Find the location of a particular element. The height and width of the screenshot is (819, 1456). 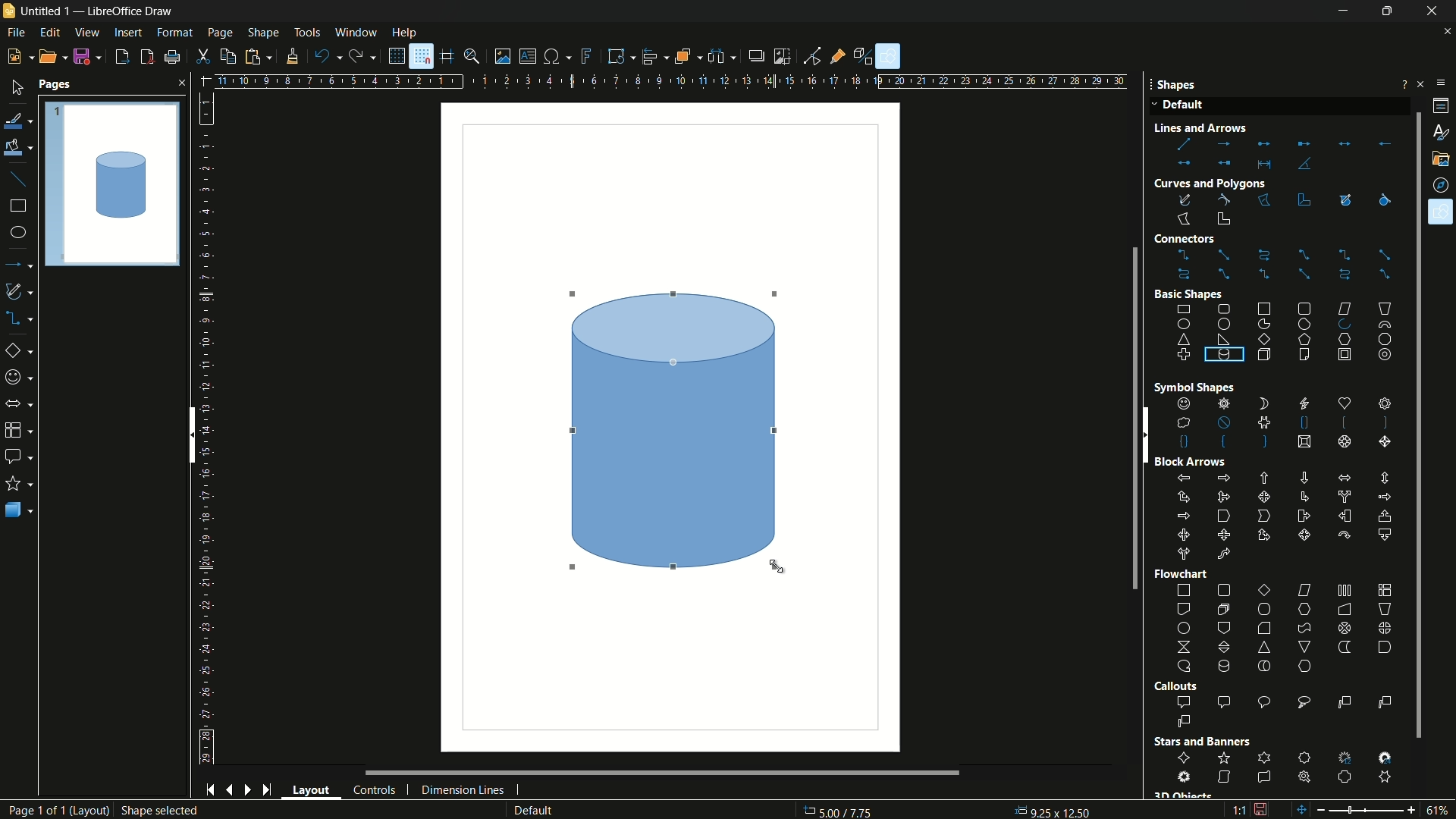

properties is located at coordinates (1441, 106).